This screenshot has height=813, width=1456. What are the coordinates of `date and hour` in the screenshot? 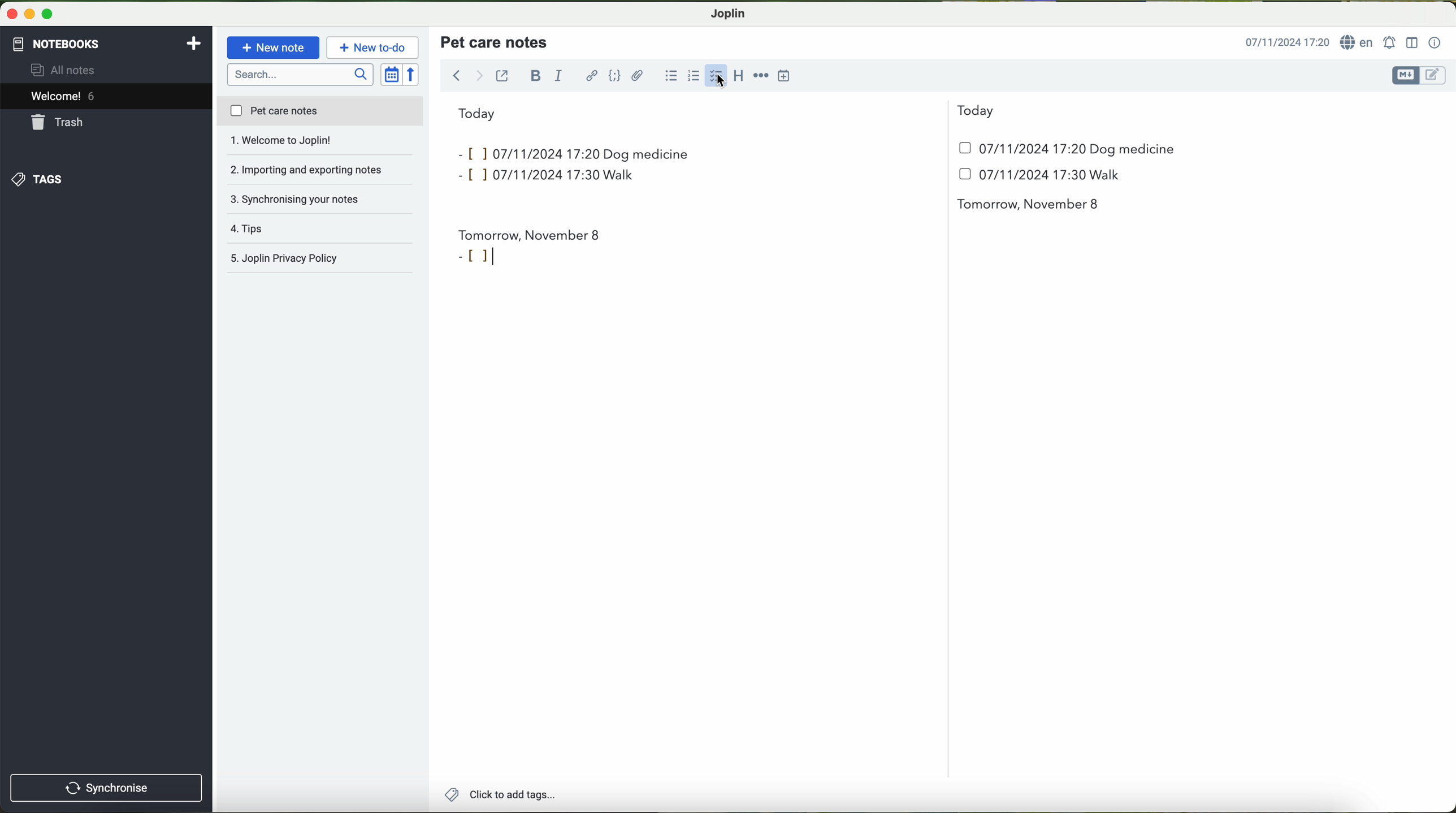 It's located at (814, 179).